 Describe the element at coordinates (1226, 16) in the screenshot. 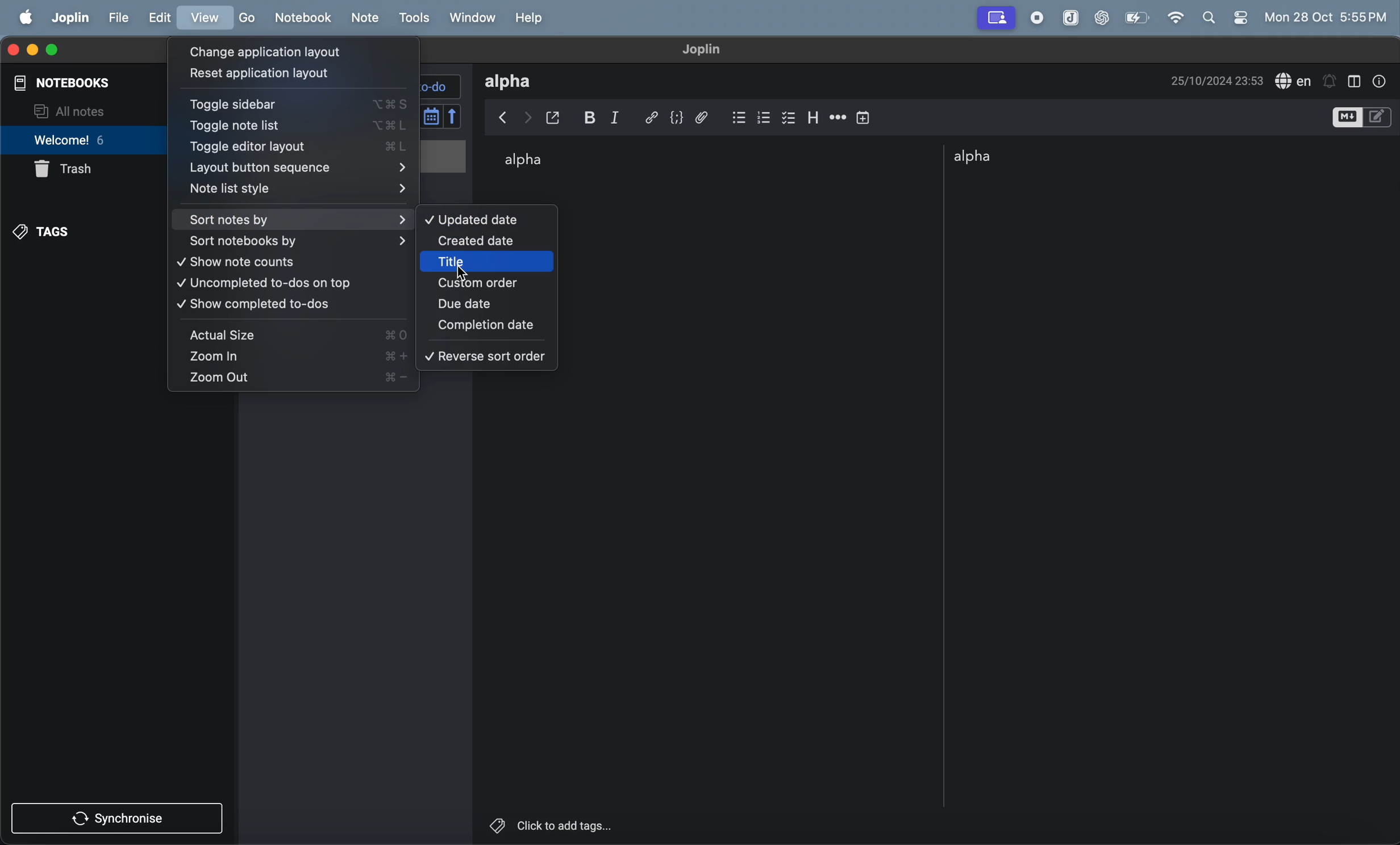

I see `apple widgets` at that location.